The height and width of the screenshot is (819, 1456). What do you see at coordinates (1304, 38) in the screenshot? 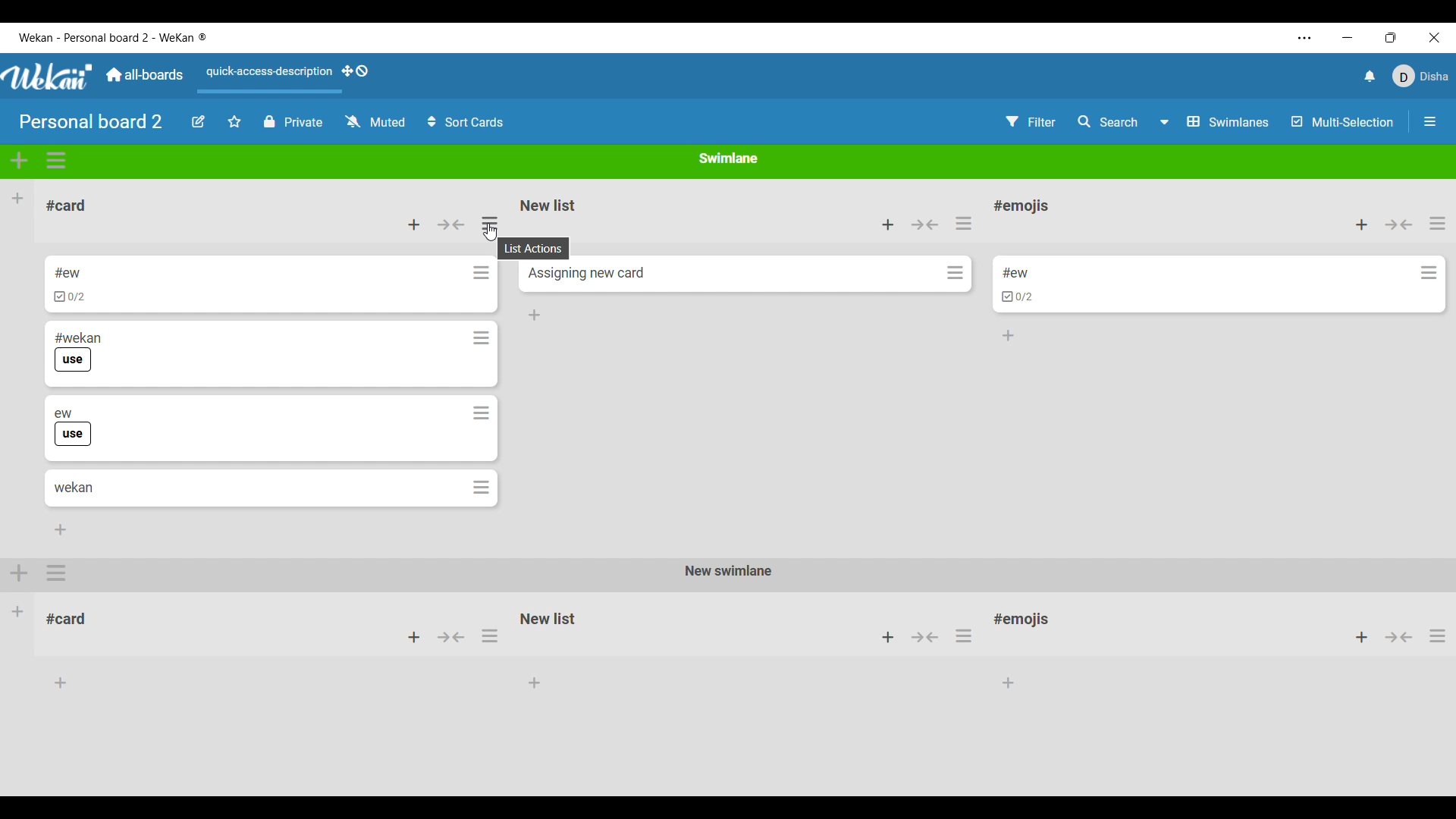
I see `Settings and more` at bounding box center [1304, 38].